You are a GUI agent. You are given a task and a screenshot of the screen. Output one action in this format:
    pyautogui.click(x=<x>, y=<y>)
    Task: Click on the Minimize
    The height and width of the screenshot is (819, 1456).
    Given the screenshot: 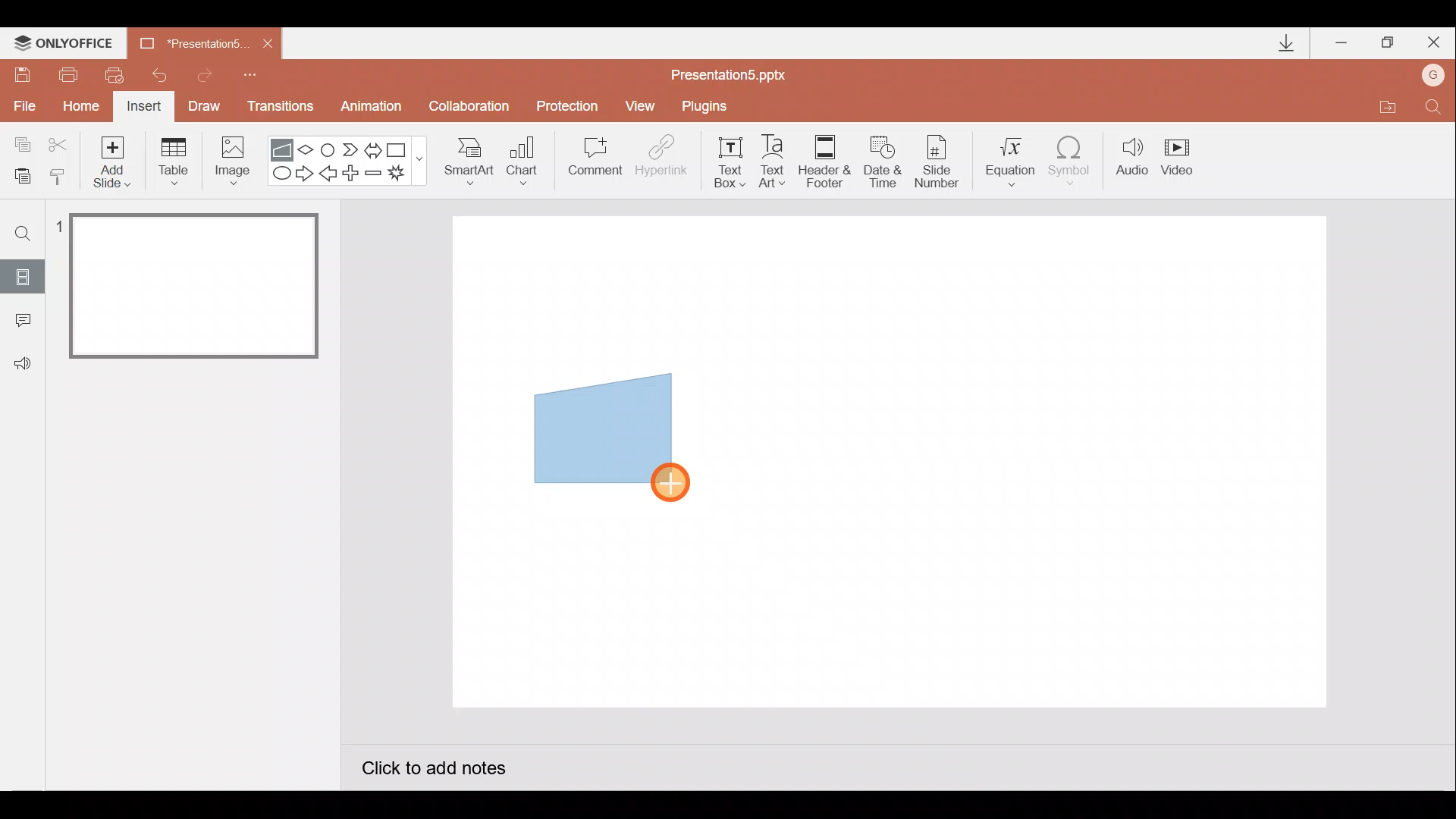 What is the action you would take?
    pyautogui.click(x=1343, y=44)
    